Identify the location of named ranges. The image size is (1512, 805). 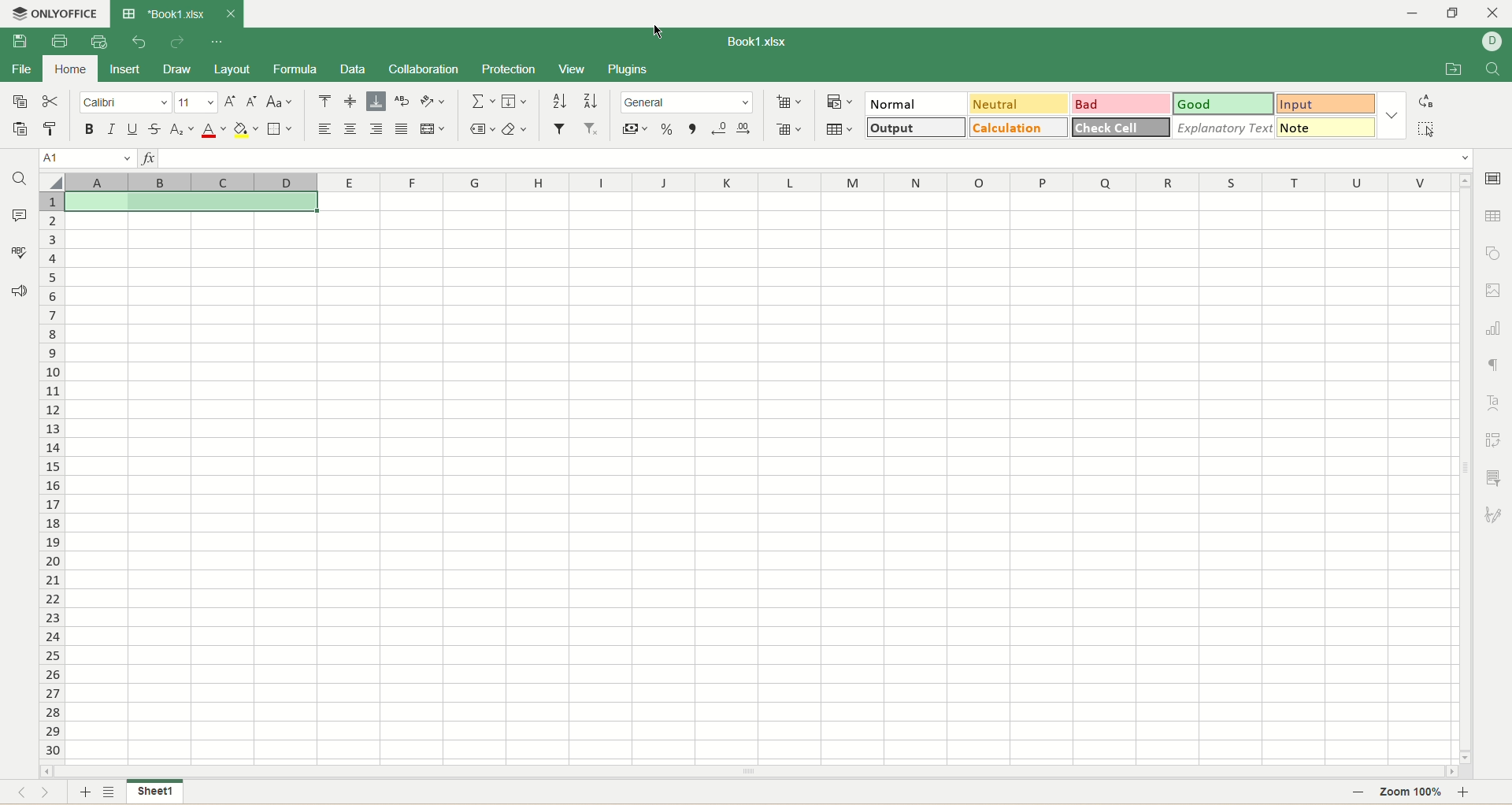
(483, 129).